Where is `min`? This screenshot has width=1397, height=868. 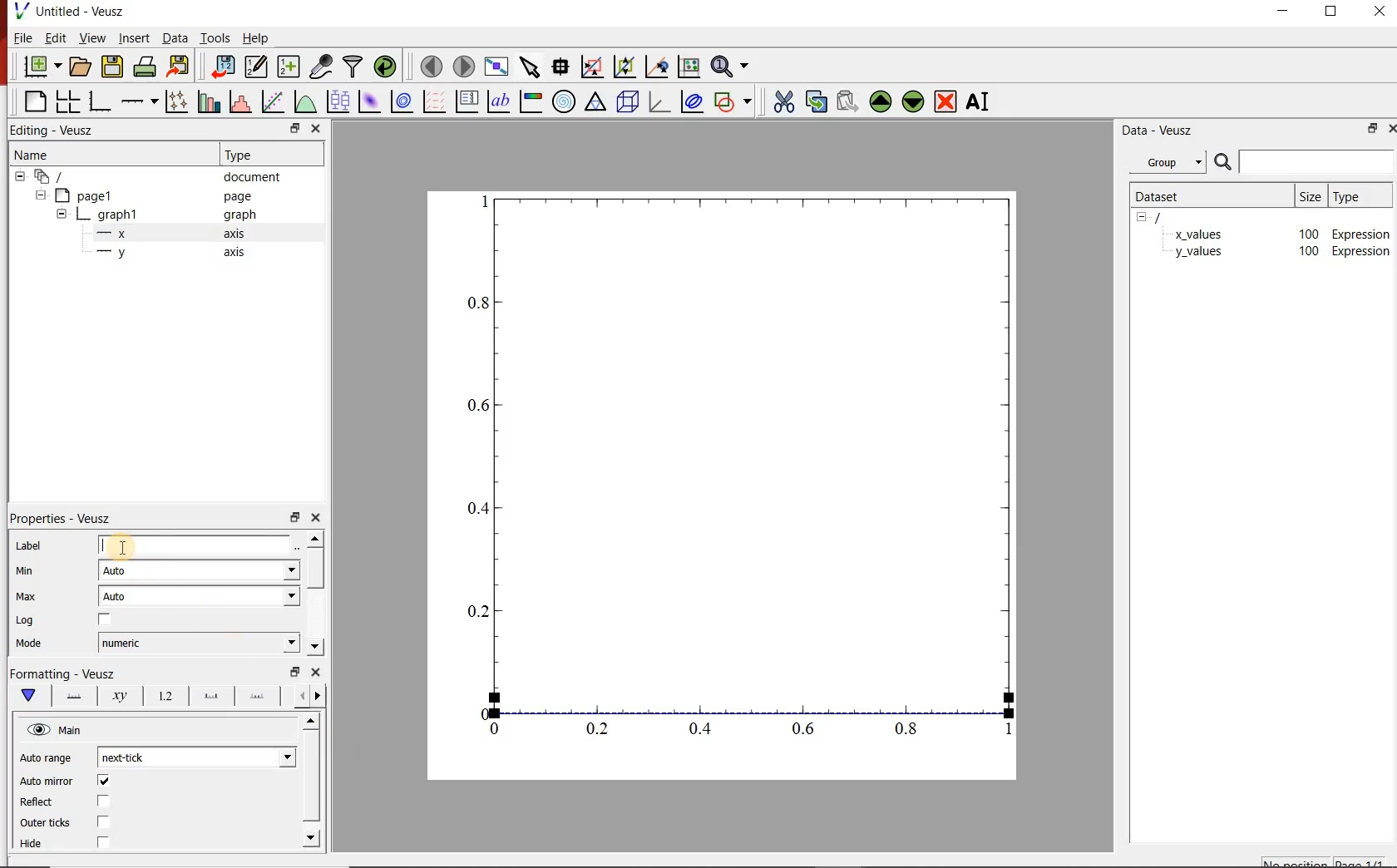
min is located at coordinates (24, 575).